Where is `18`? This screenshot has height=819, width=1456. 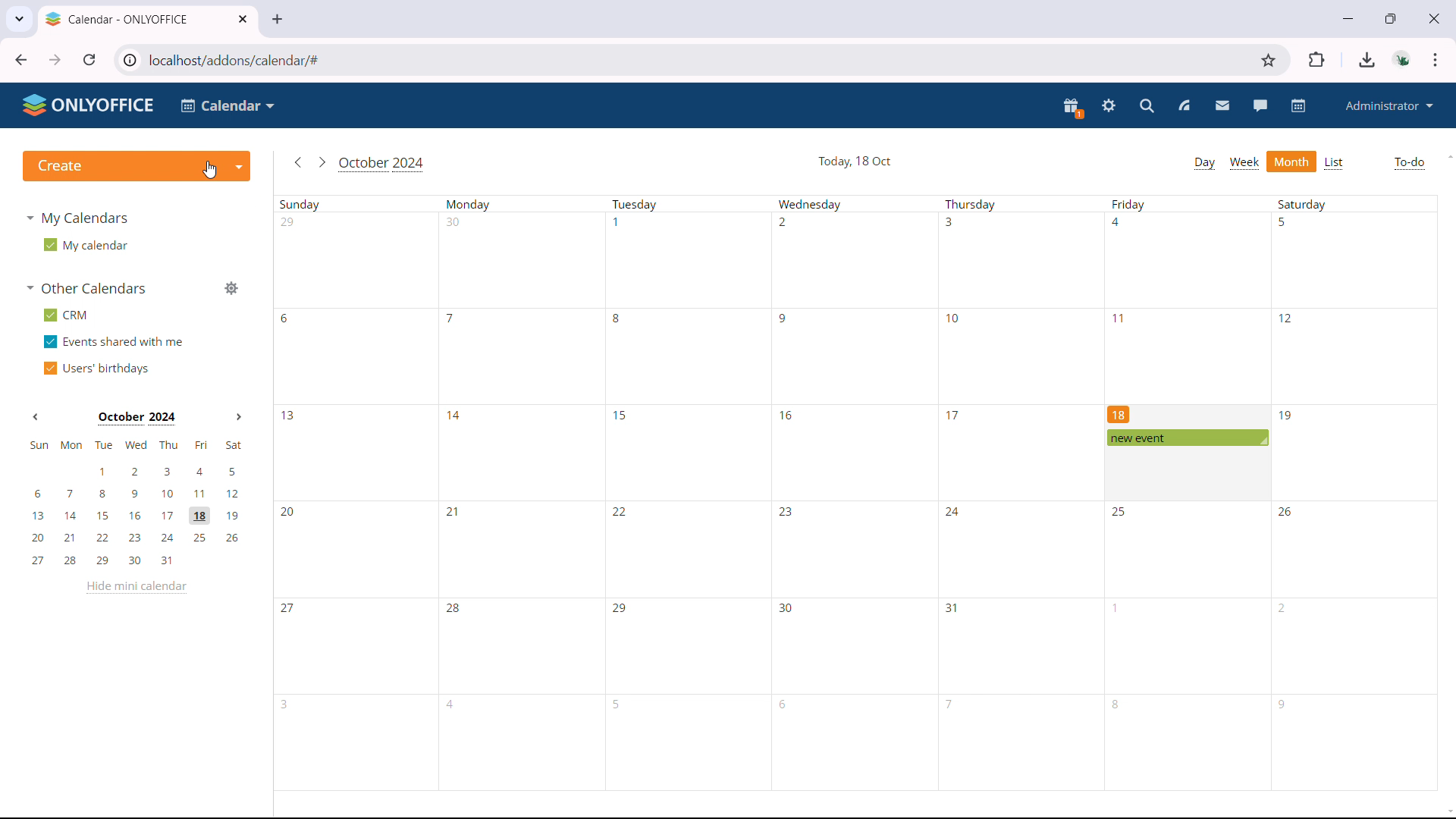
18 is located at coordinates (1119, 413).